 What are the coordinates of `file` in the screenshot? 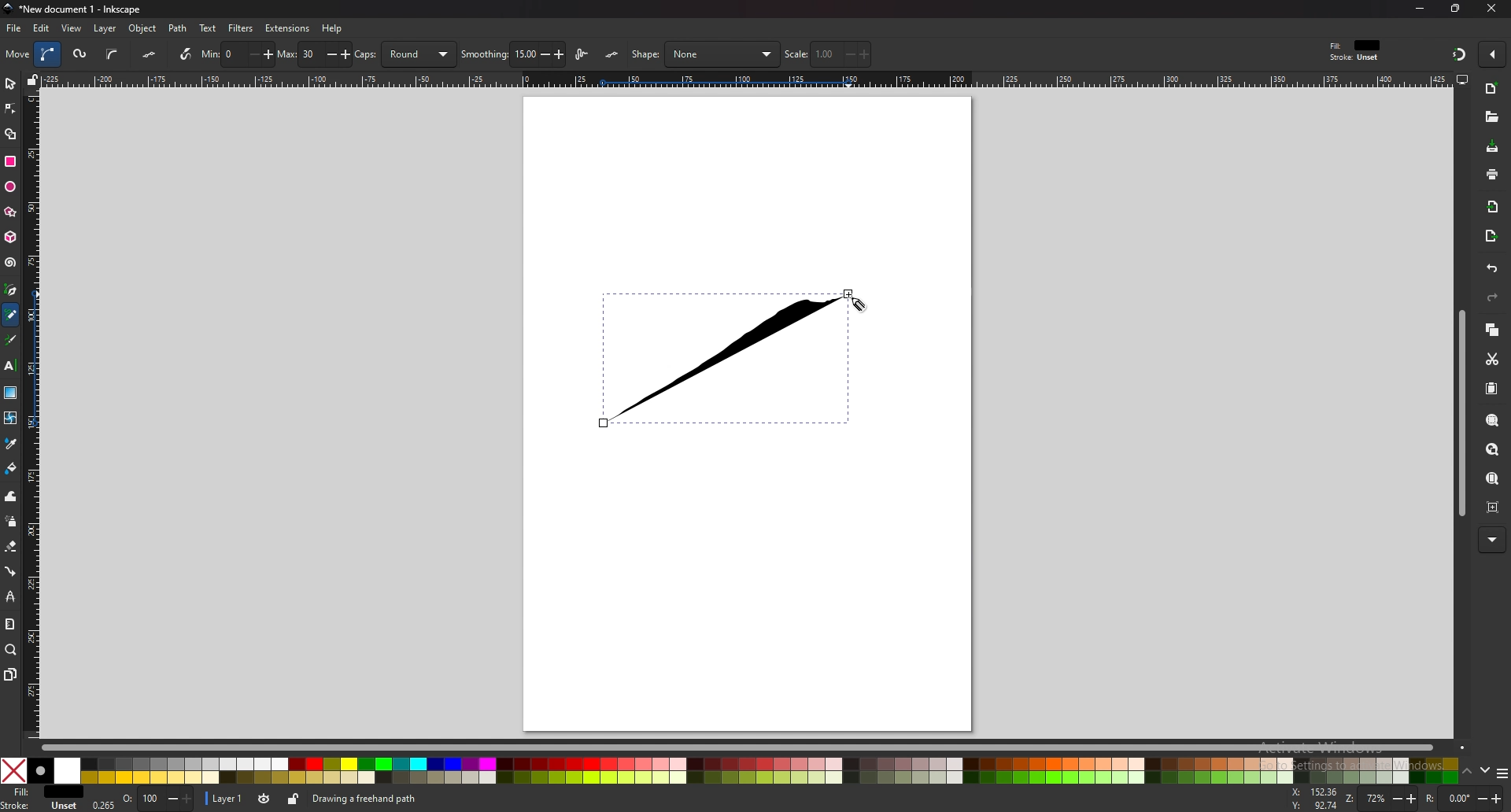 It's located at (16, 28).